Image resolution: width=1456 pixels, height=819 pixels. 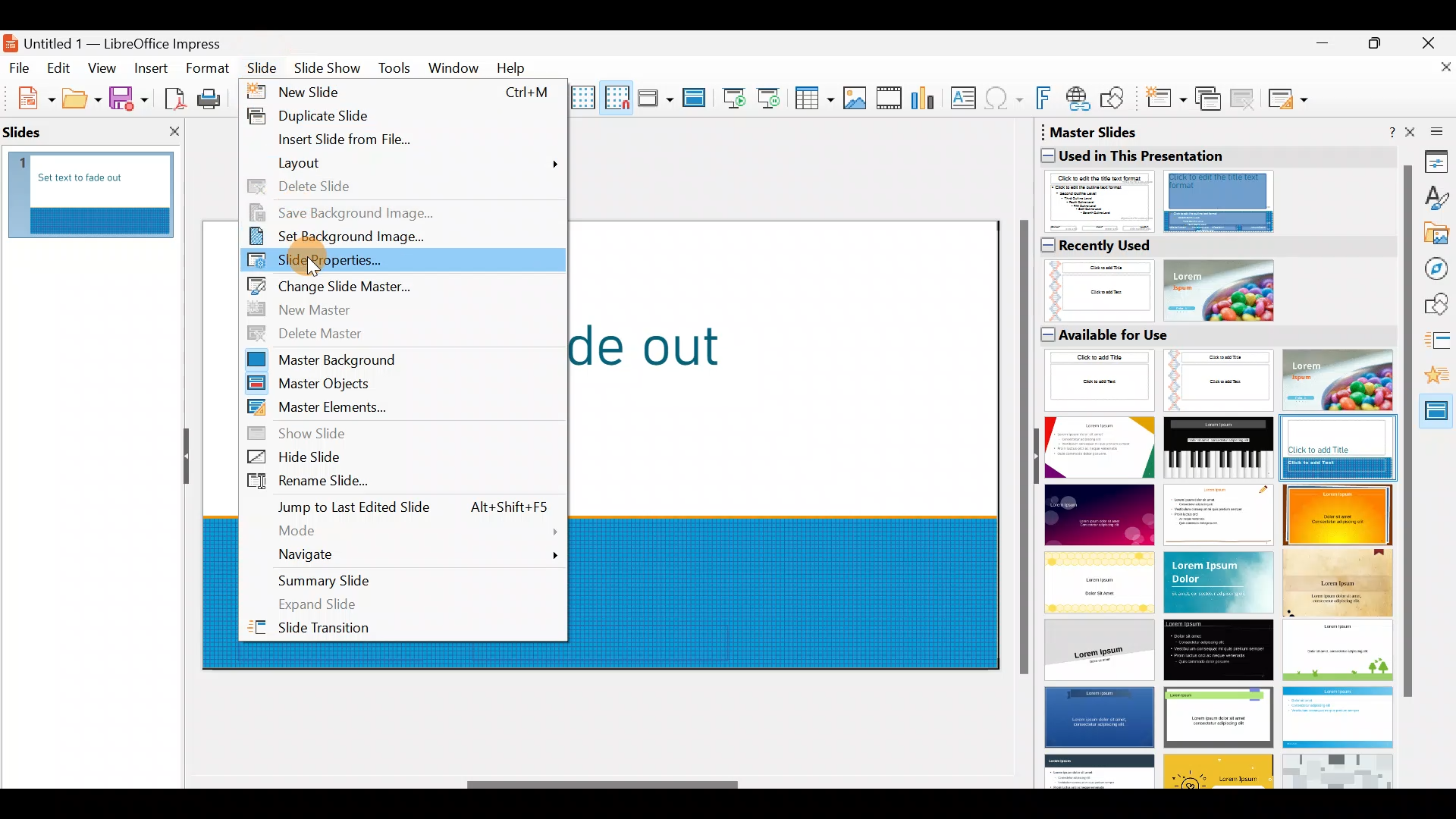 What do you see at coordinates (401, 578) in the screenshot?
I see `Summary slide` at bounding box center [401, 578].